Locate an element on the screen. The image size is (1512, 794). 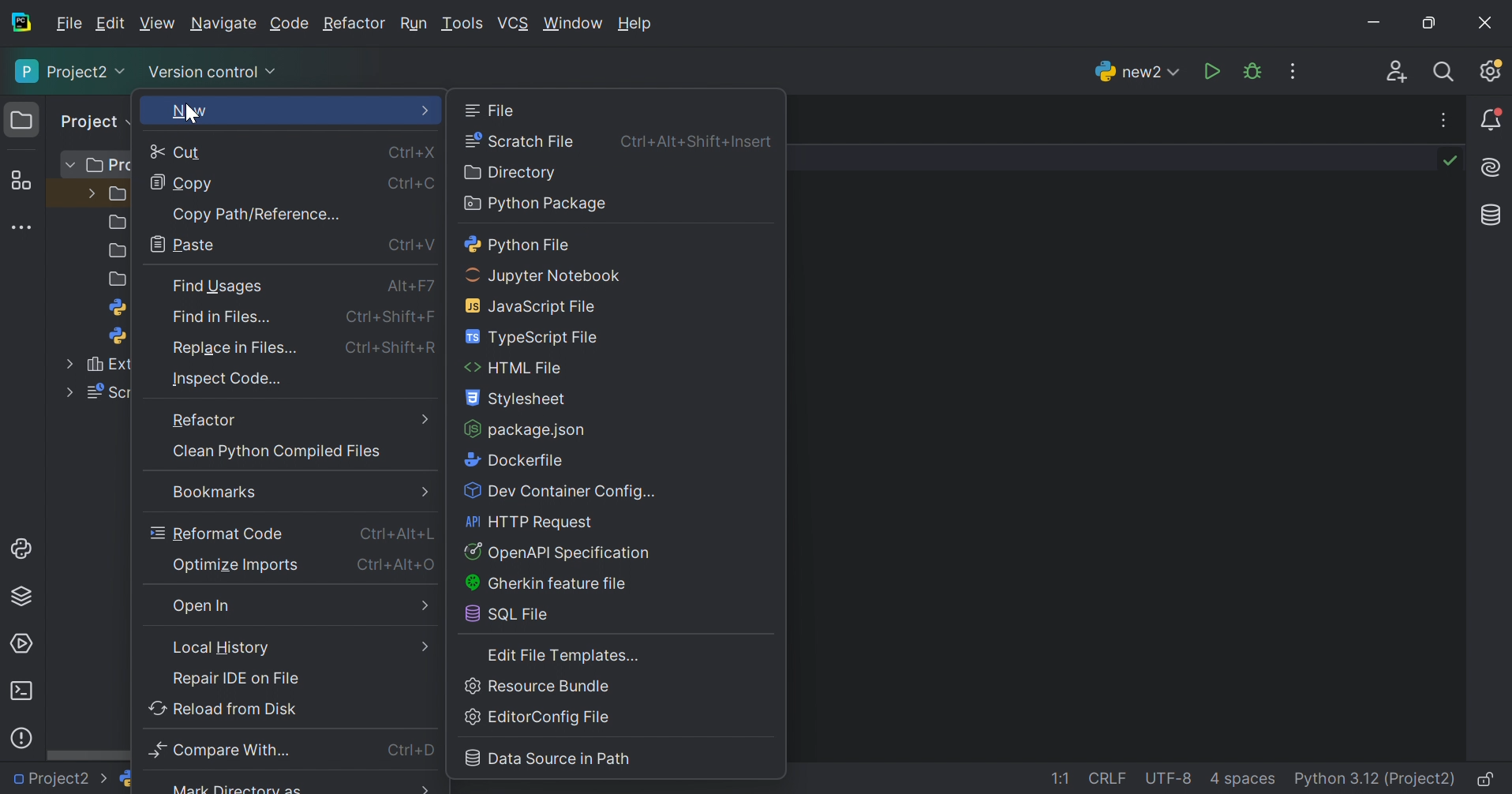
Problems is located at coordinates (24, 736).